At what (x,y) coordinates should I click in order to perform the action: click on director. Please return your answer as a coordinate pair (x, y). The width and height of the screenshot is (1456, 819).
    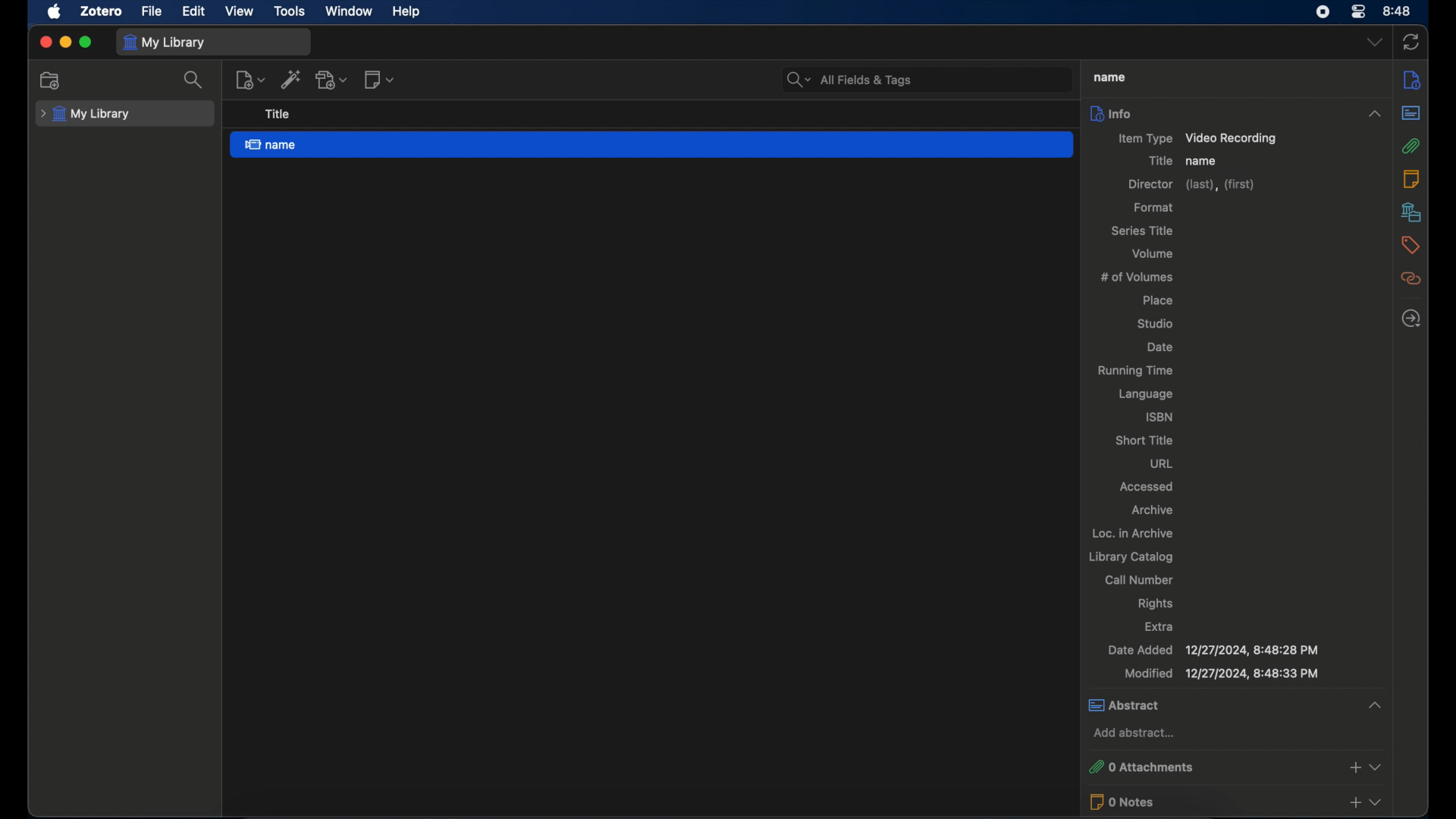
    Looking at the image, I should click on (1191, 185).